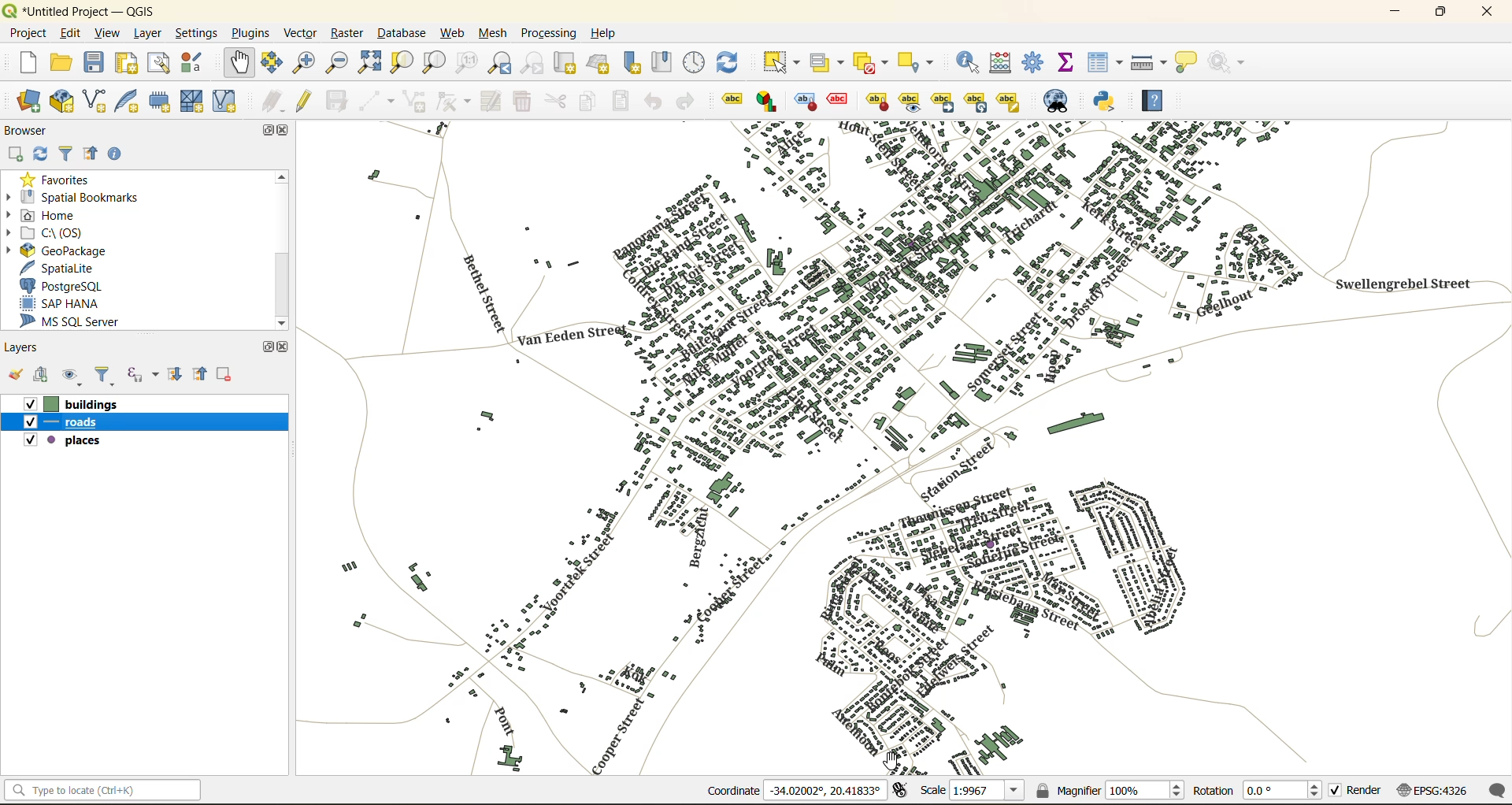  Describe the element at coordinates (569, 64) in the screenshot. I see `new map view` at that location.